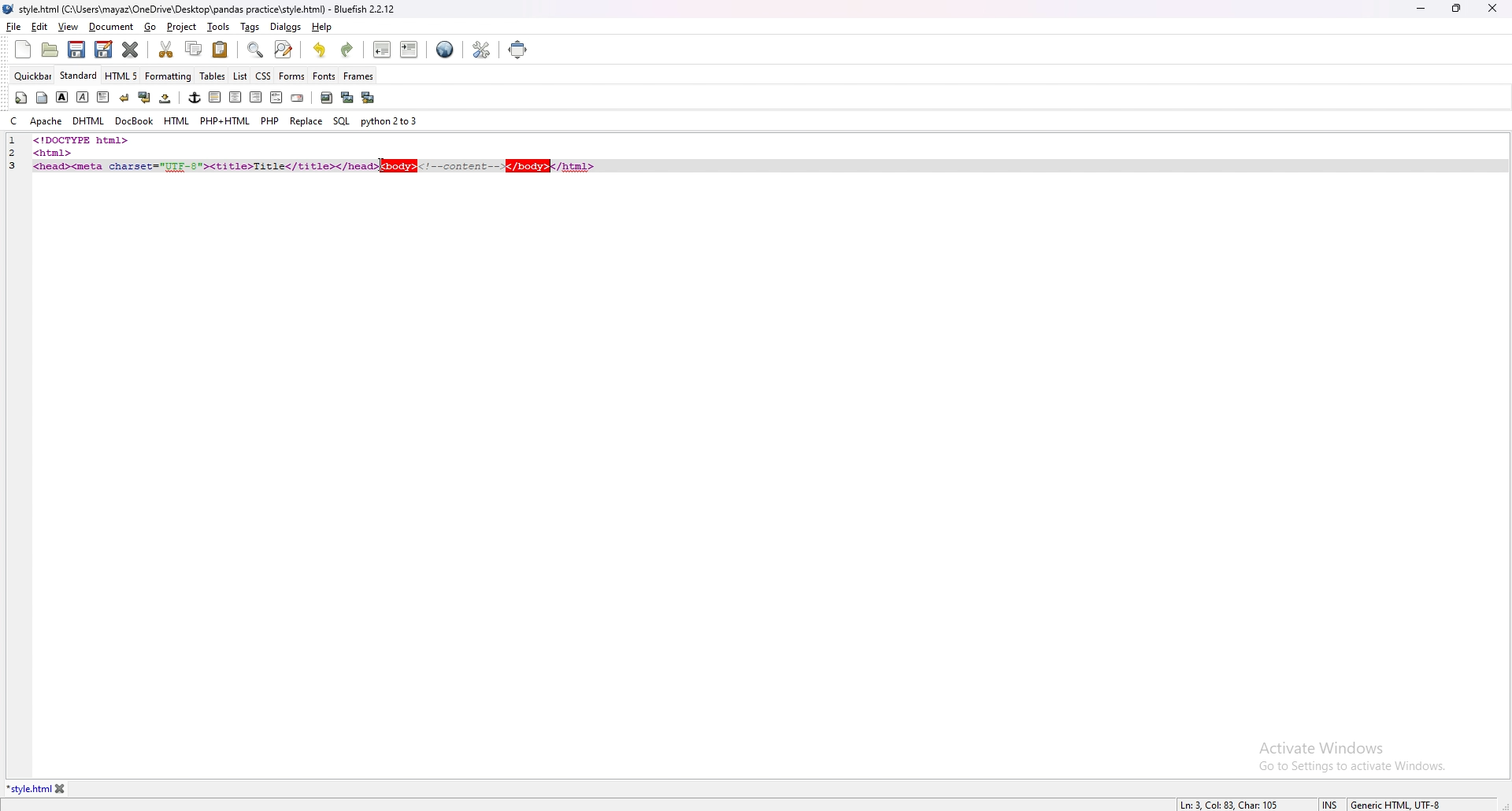 Image resolution: width=1512 pixels, height=811 pixels. Describe the element at coordinates (1492, 8) in the screenshot. I see `close` at that location.